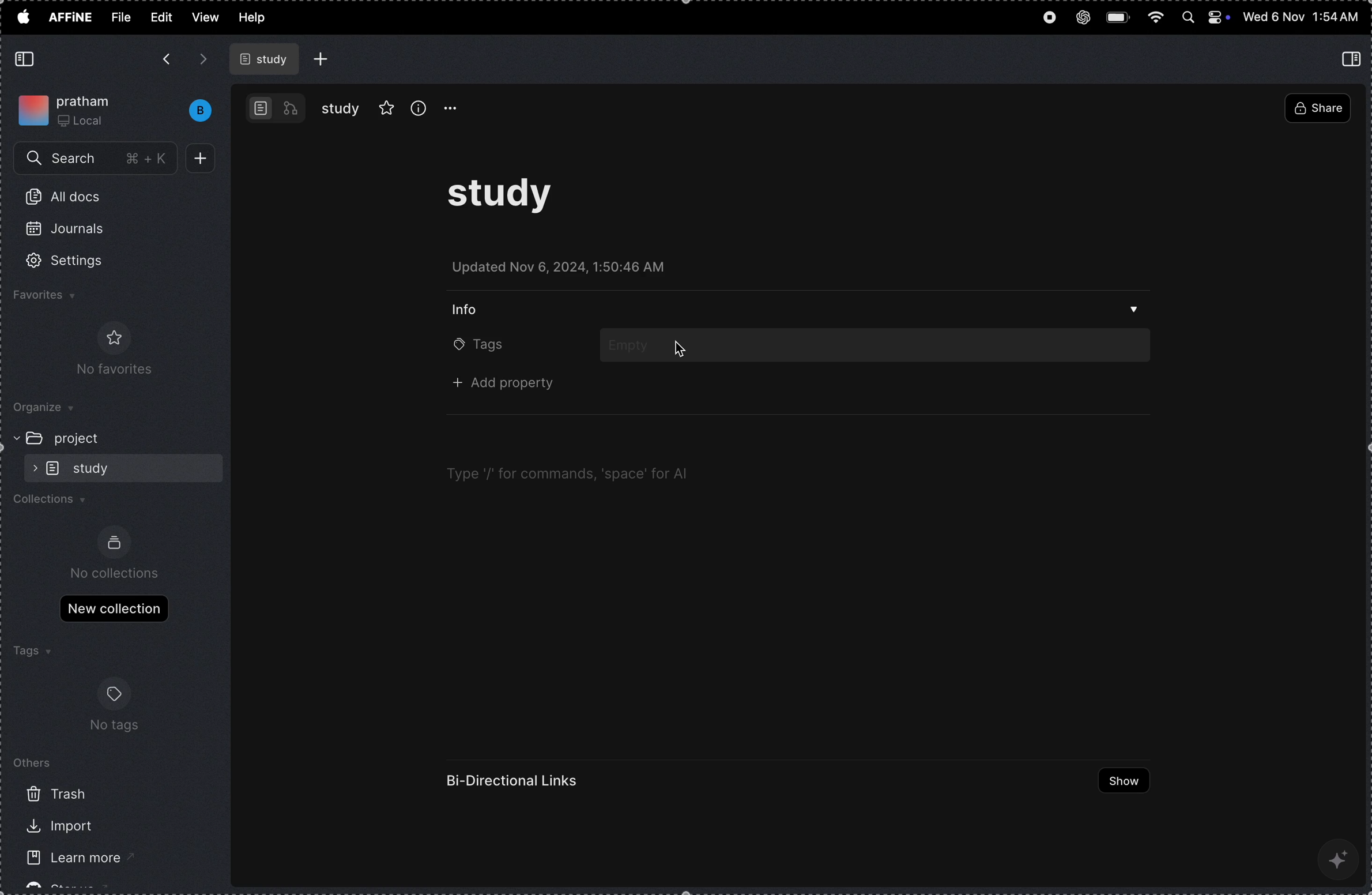 The height and width of the screenshot is (895, 1372). I want to click on Type '/' for commands, ‘space’ for Al, so click(566, 474).